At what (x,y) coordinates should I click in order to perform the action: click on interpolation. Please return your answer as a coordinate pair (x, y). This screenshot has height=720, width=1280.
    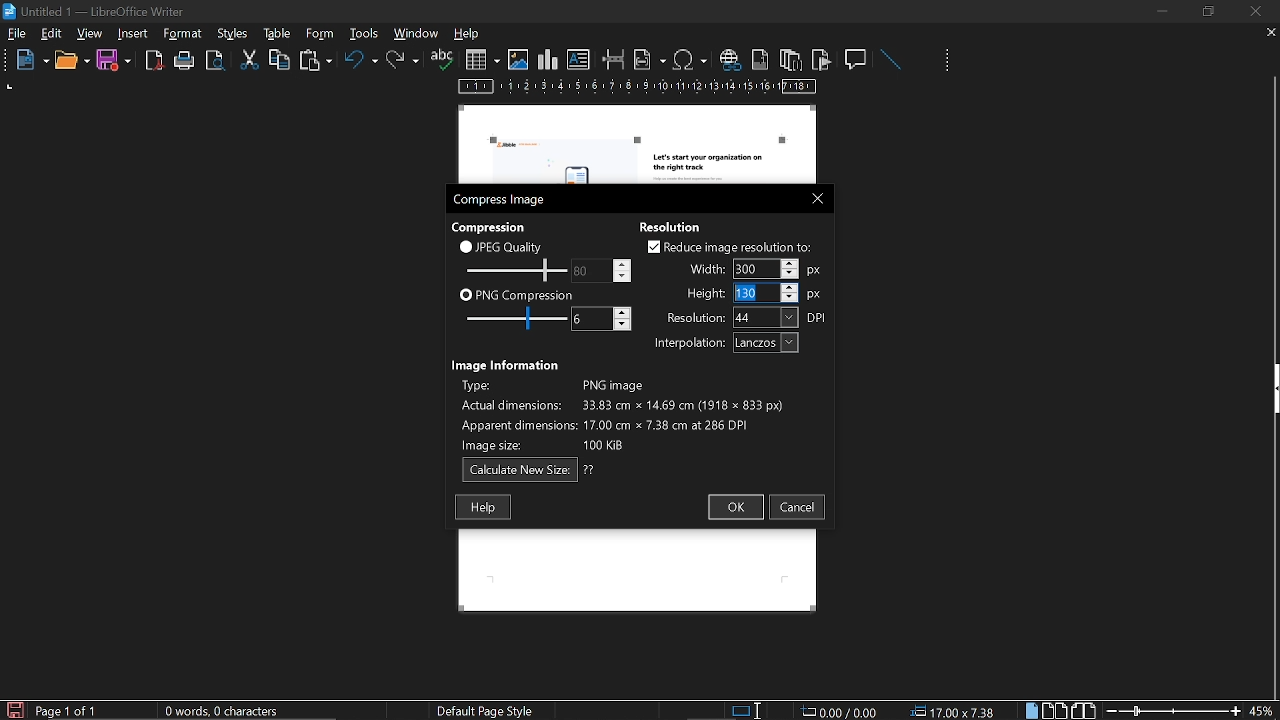
    Looking at the image, I should click on (722, 343).